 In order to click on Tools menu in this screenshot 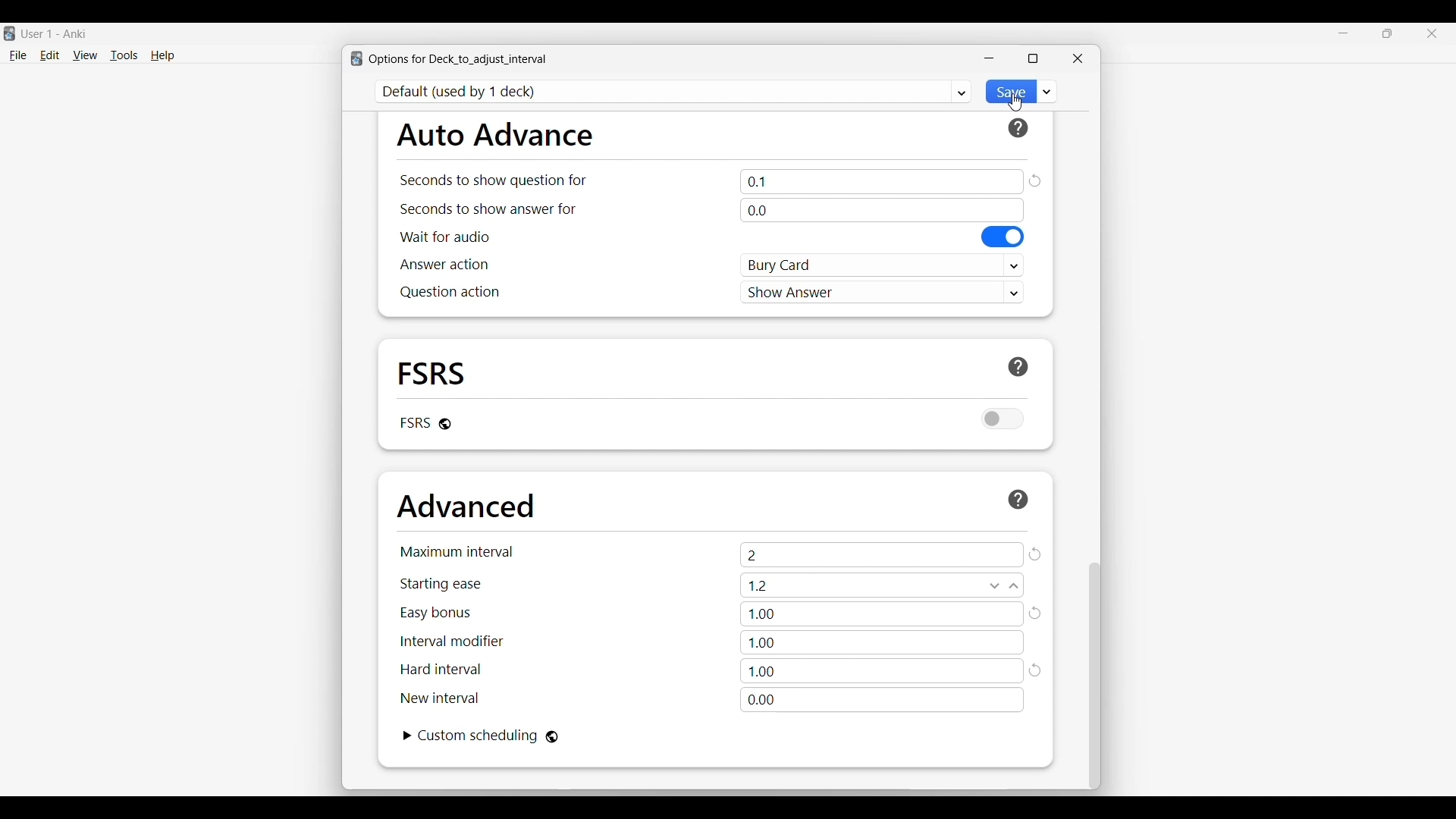, I will do `click(124, 55)`.